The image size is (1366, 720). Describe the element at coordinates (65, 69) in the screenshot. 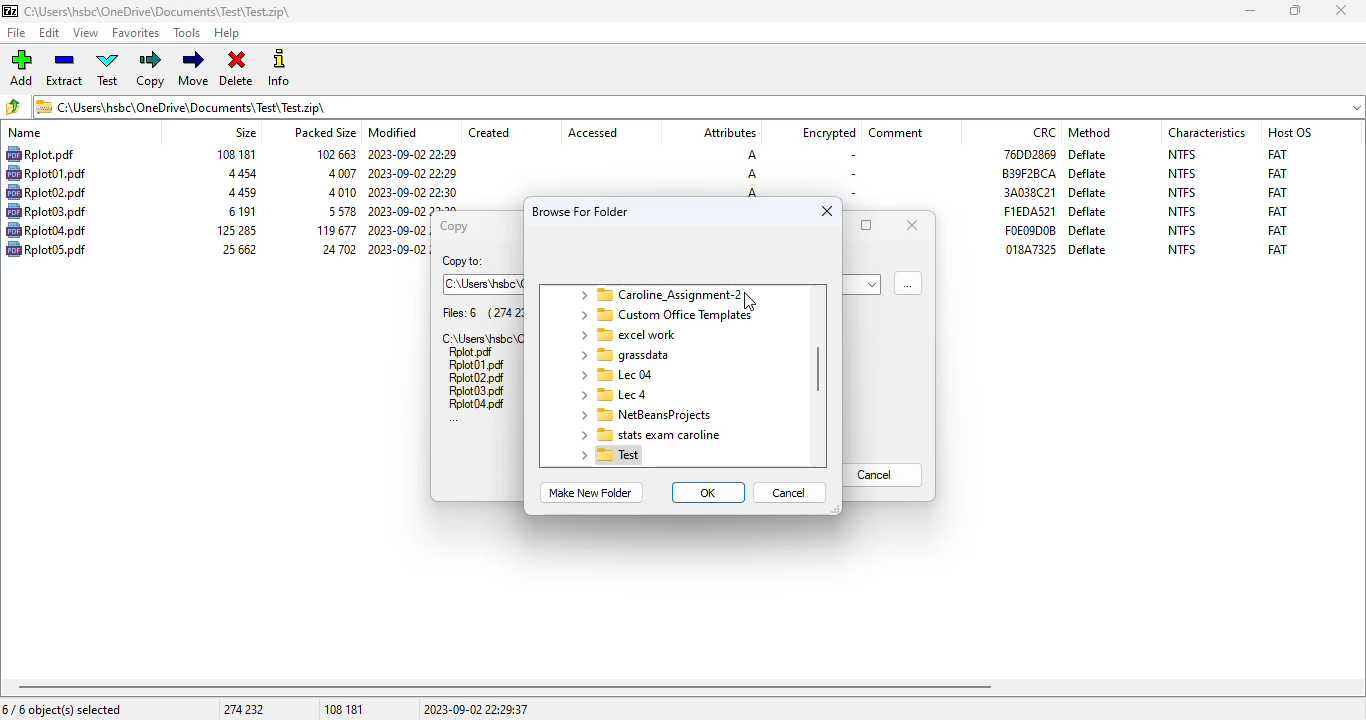

I see `extract` at that location.